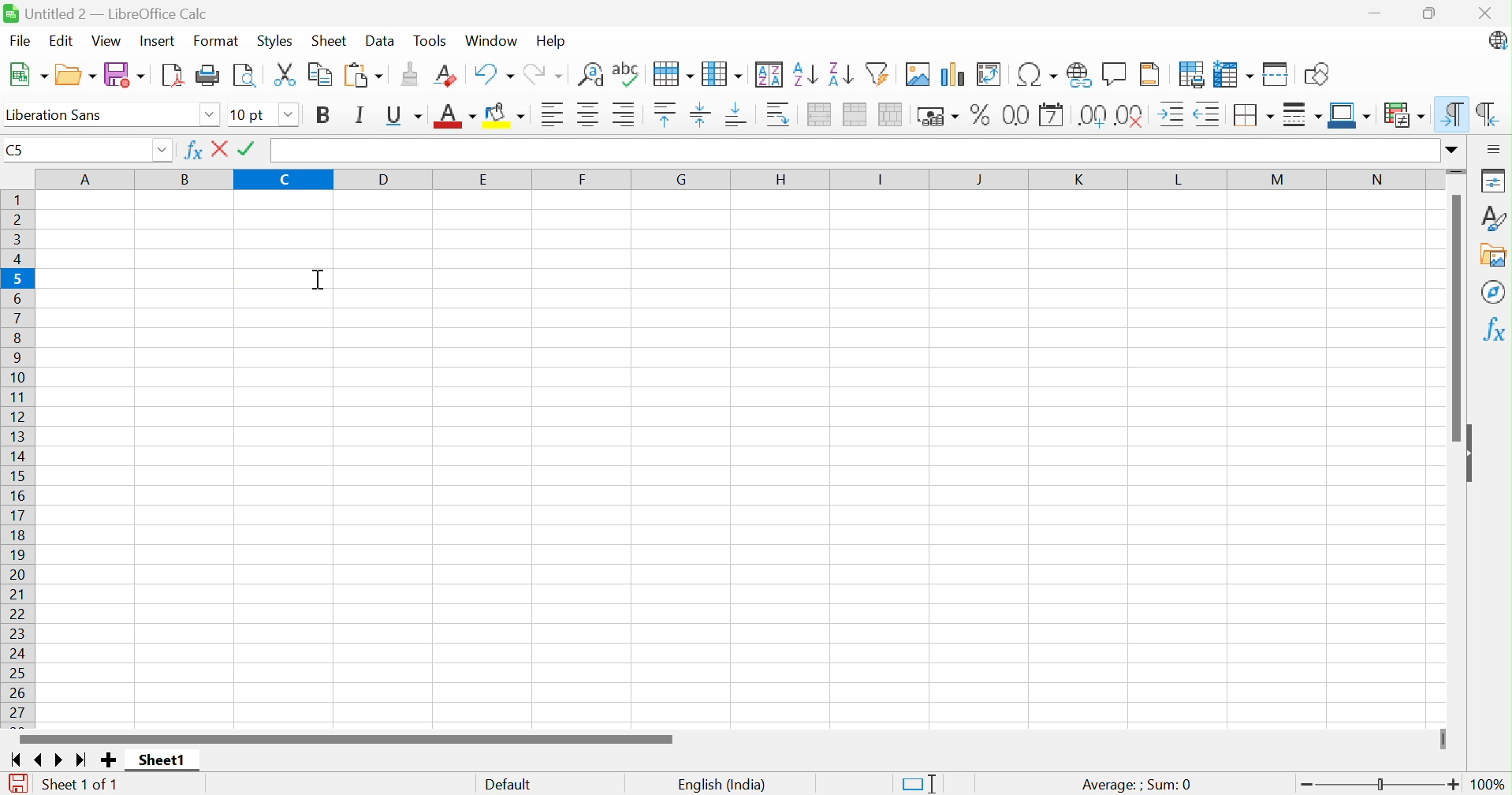 This screenshot has width=1512, height=795. Describe the element at coordinates (109, 41) in the screenshot. I see `View` at that location.